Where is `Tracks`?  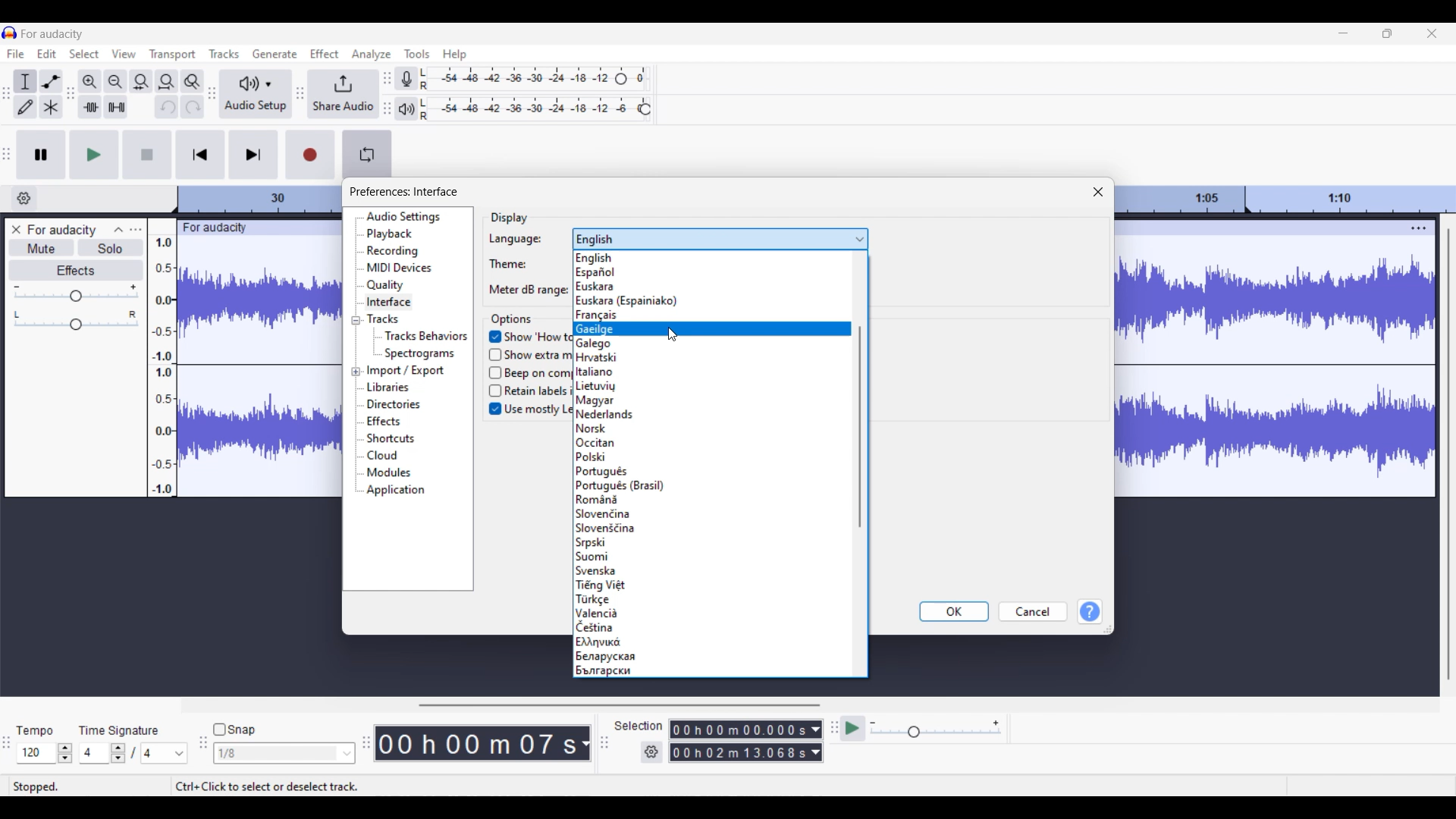
Tracks is located at coordinates (382, 318).